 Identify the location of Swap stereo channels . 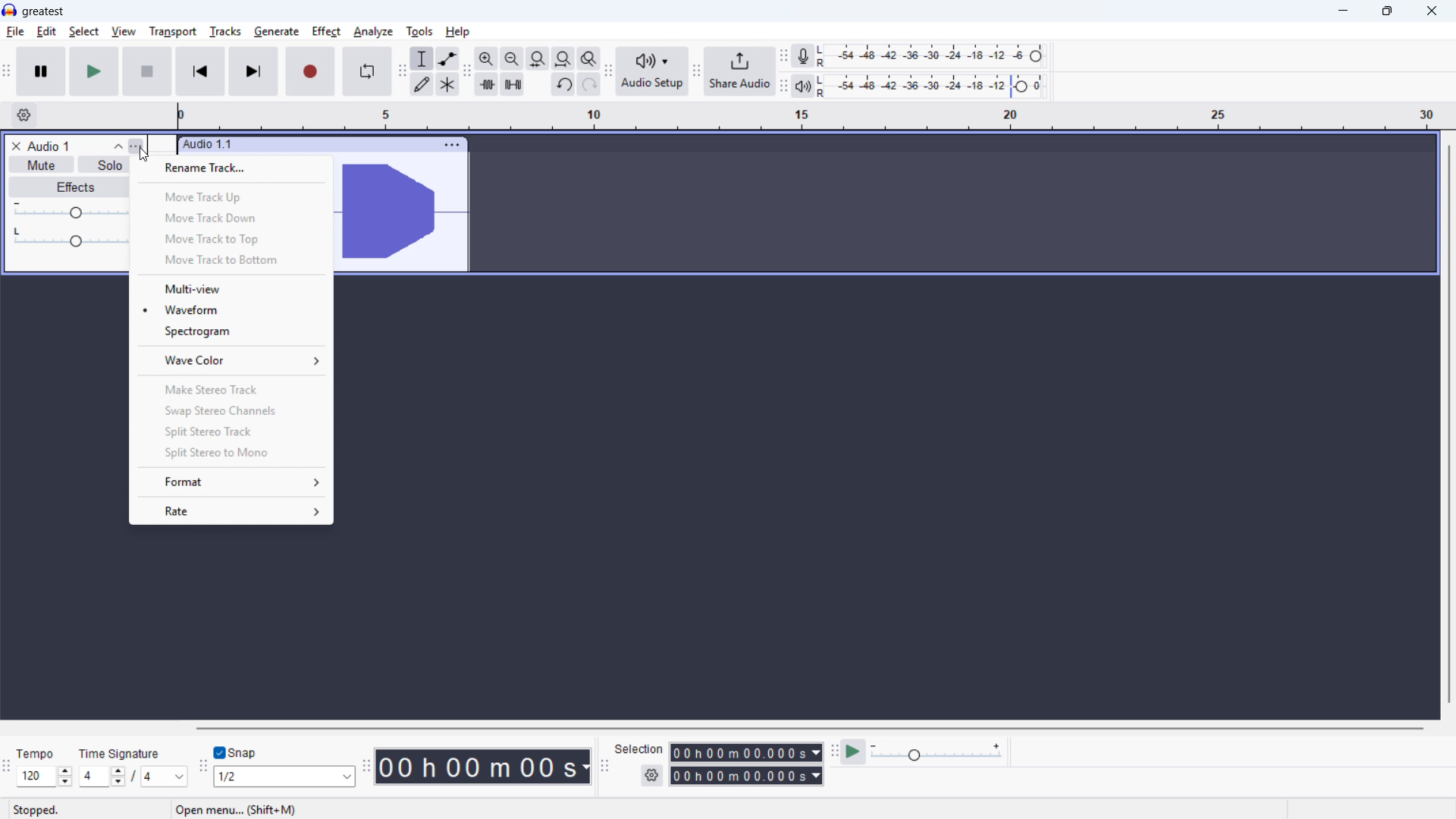
(232, 409).